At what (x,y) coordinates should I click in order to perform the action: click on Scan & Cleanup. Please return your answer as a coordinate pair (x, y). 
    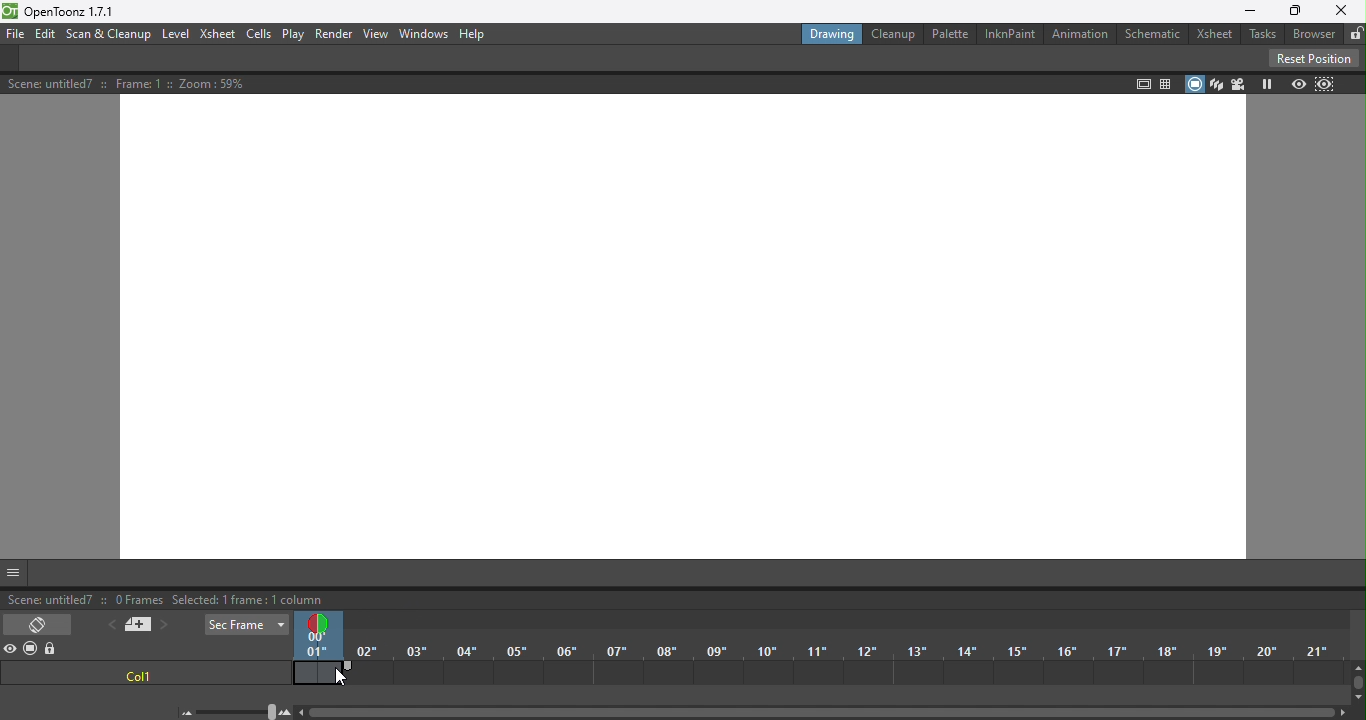
    Looking at the image, I should click on (110, 35).